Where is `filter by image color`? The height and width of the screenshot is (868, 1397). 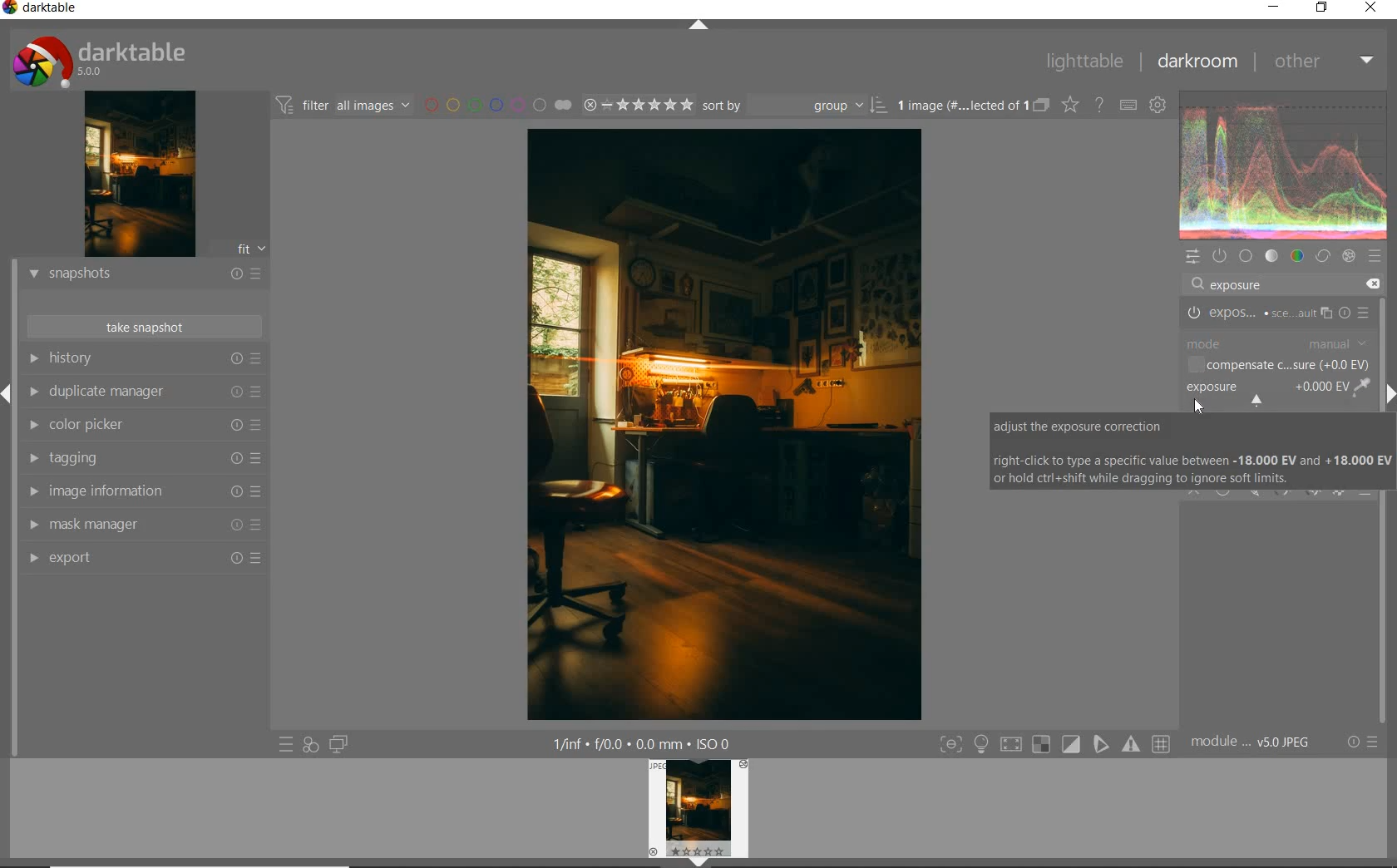 filter by image color is located at coordinates (497, 106).